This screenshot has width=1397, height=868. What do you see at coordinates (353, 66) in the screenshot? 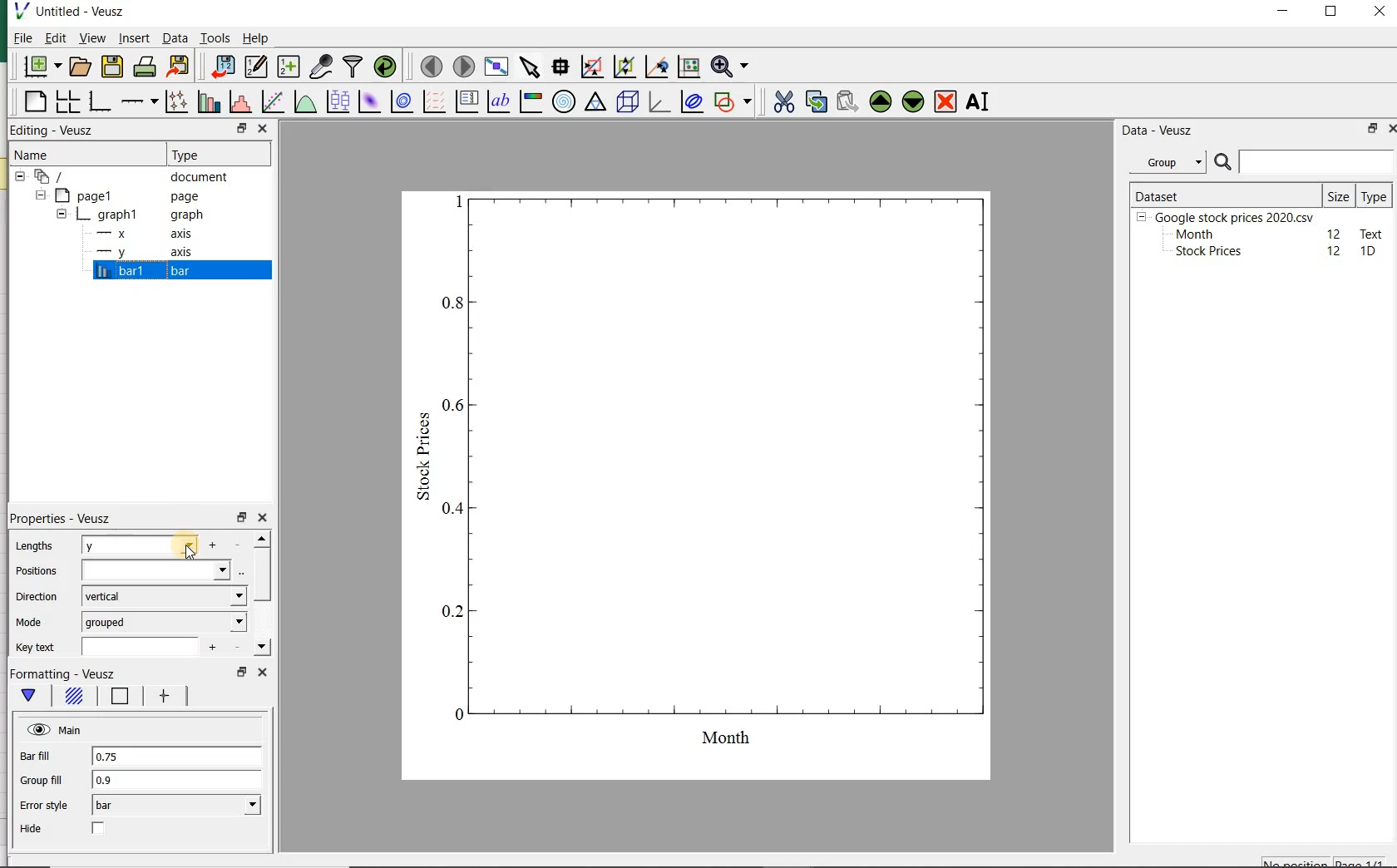
I see `filter data` at bounding box center [353, 66].